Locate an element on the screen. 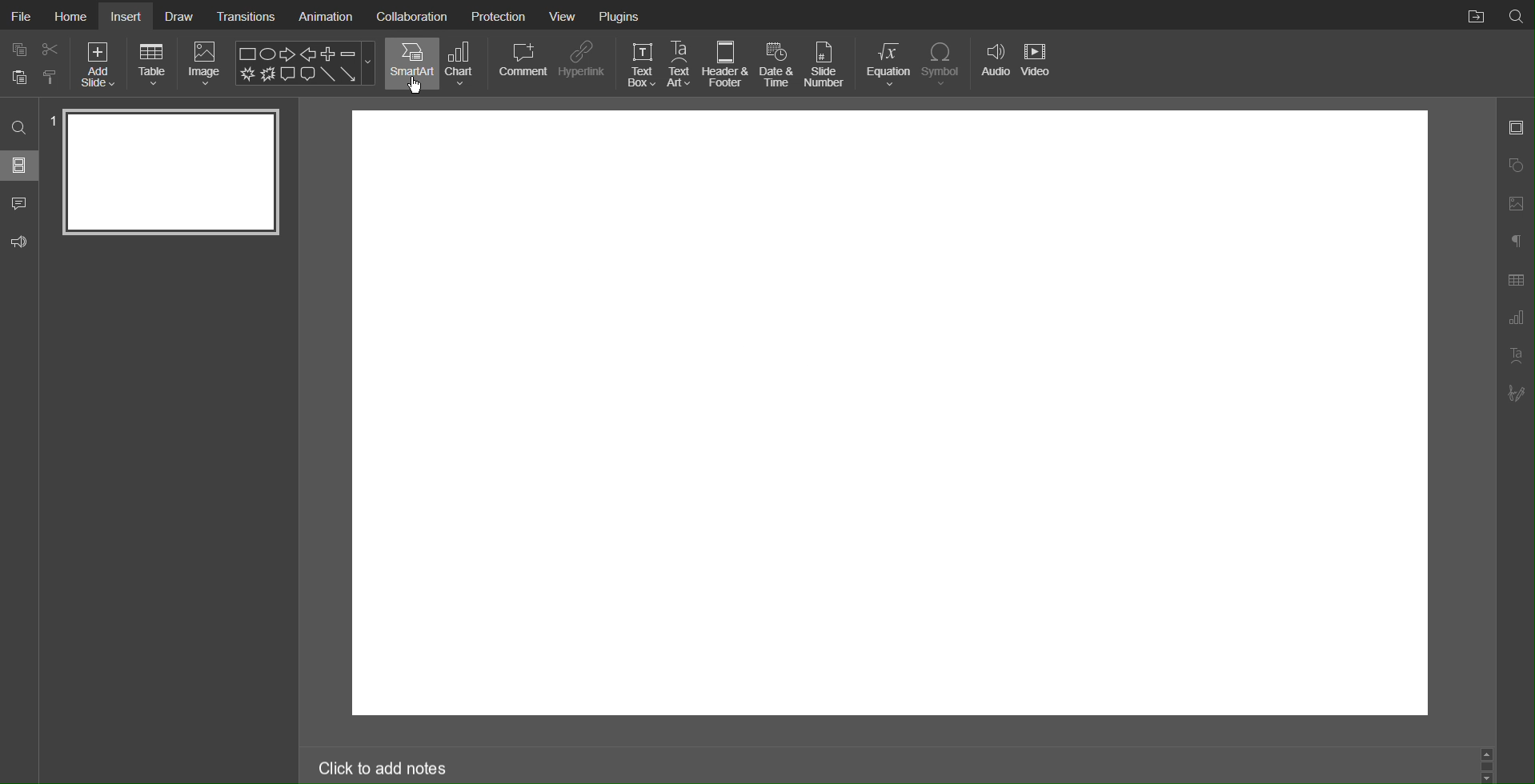  Table Settings is located at coordinates (1516, 279).